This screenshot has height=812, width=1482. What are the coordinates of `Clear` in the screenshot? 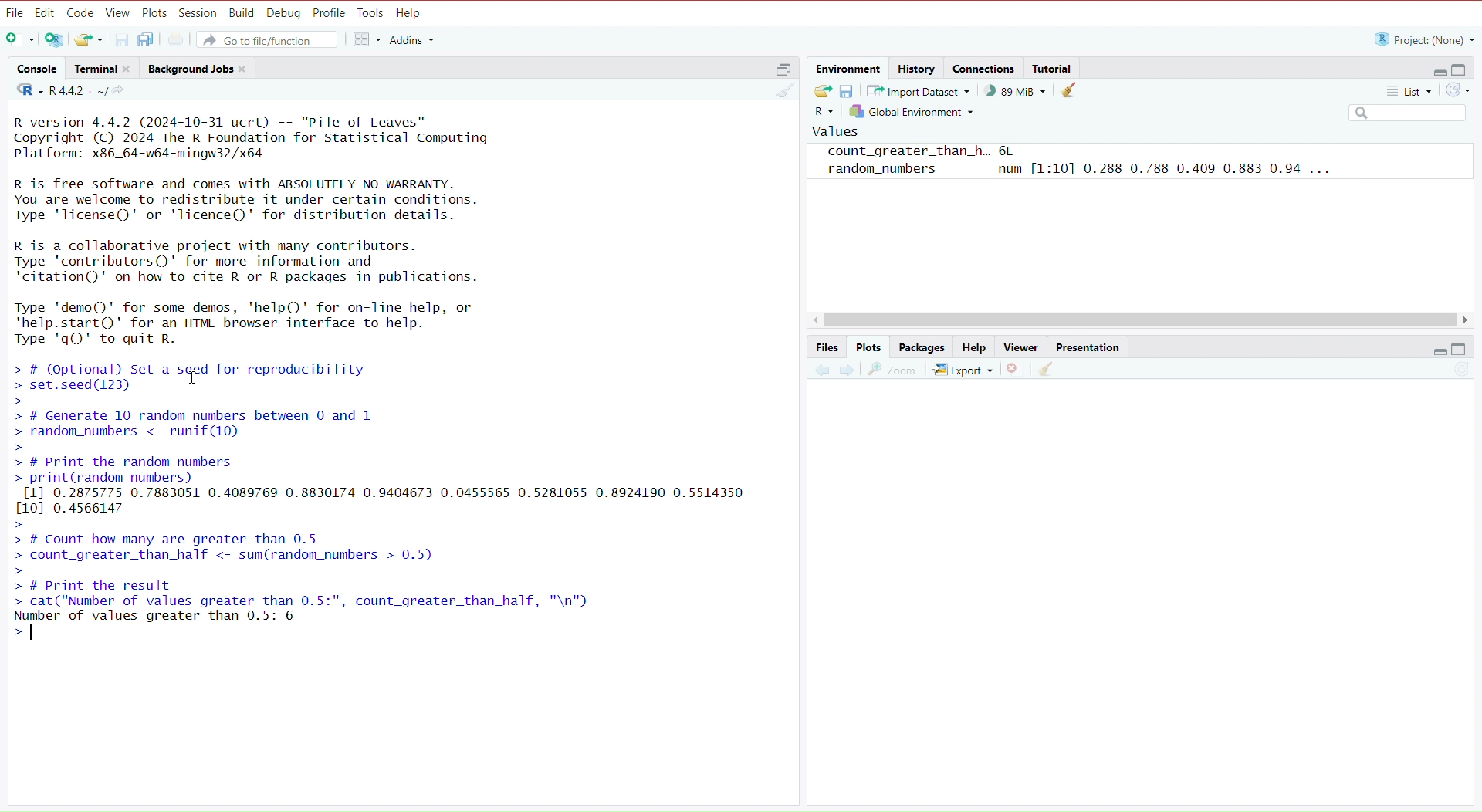 It's located at (1069, 90).